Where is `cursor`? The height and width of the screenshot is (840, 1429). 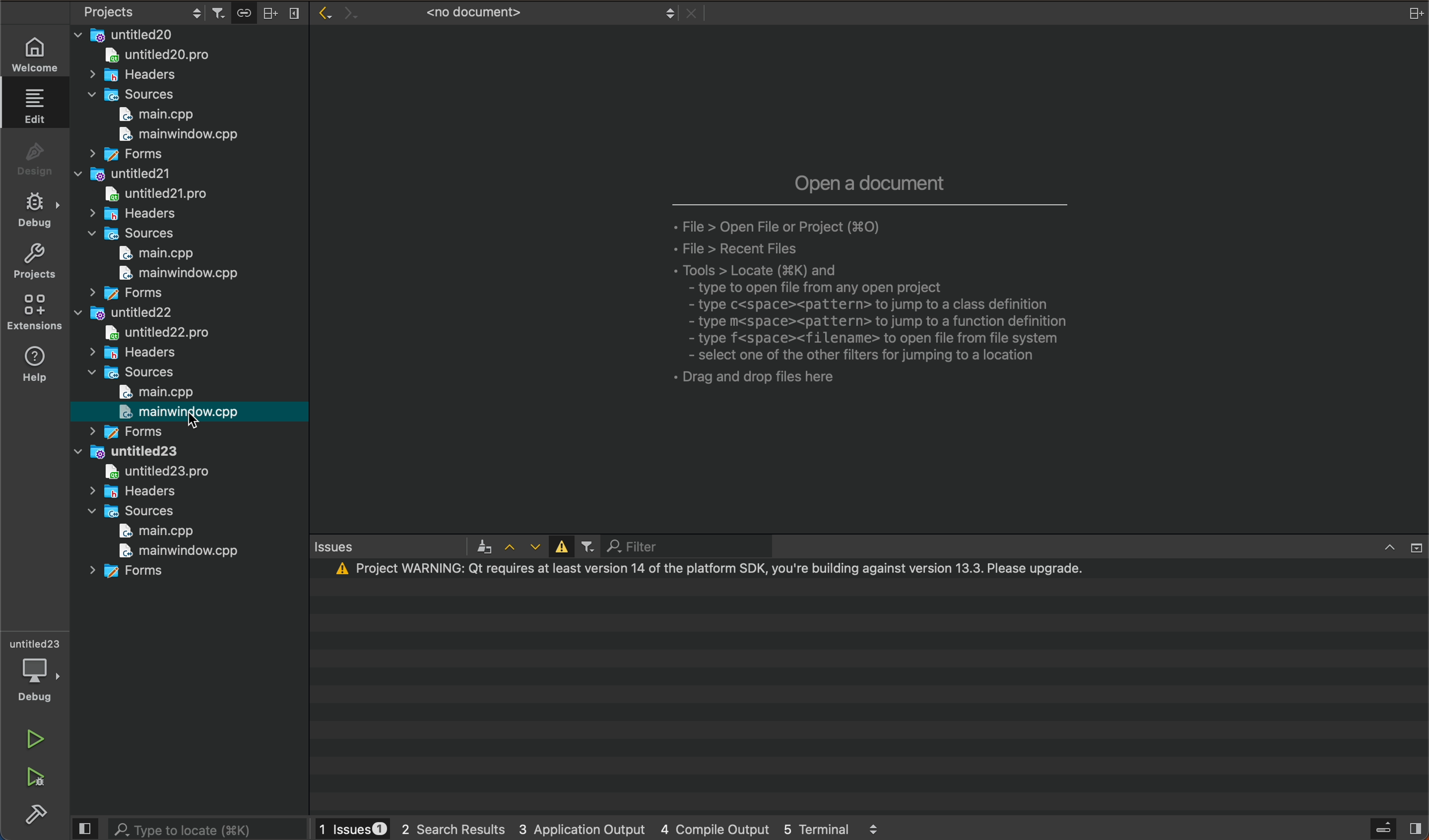 cursor is located at coordinates (201, 422).